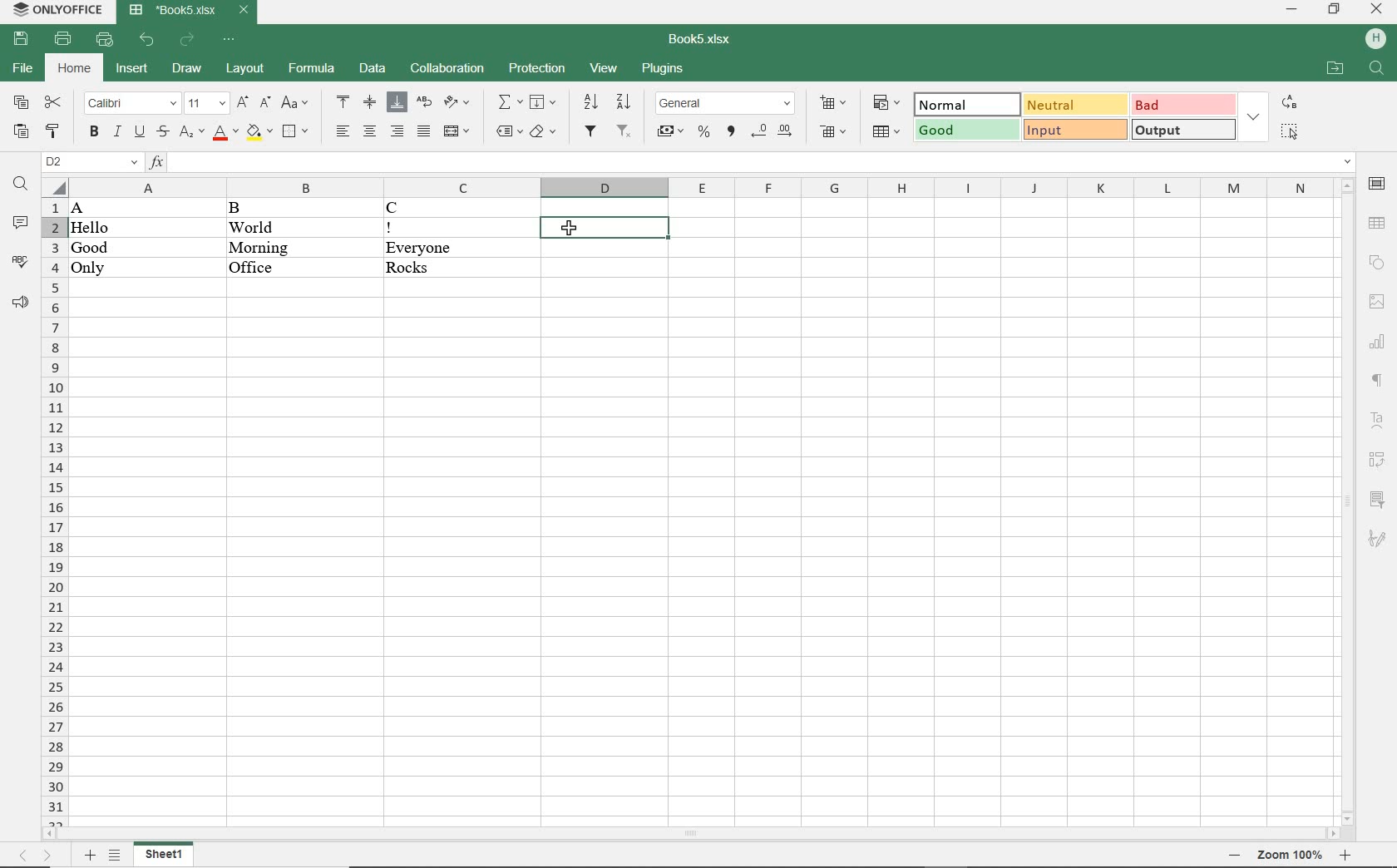  Describe the element at coordinates (1289, 854) in the screenshot. I see `zoom in or zoom out` at that location.